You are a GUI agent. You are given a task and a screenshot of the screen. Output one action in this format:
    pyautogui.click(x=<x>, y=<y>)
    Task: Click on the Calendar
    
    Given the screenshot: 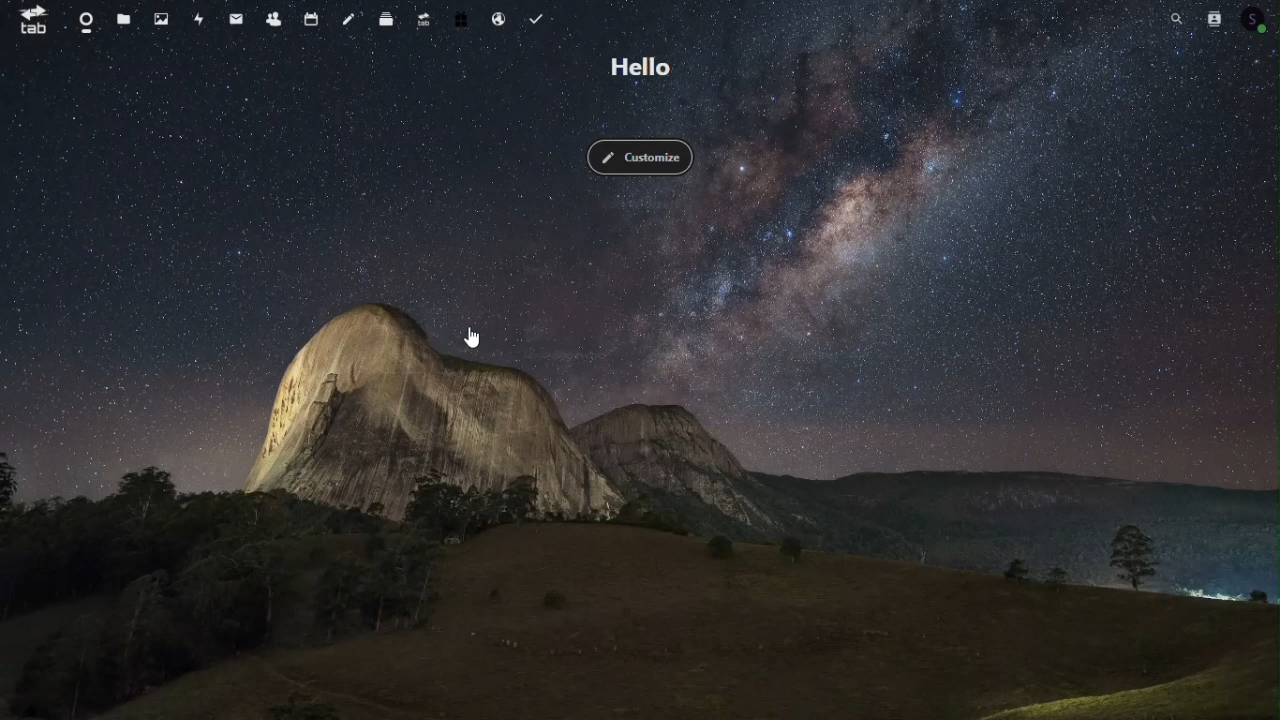 What is the action you would take?
    pyautogui.click(x=310, y=17)
    